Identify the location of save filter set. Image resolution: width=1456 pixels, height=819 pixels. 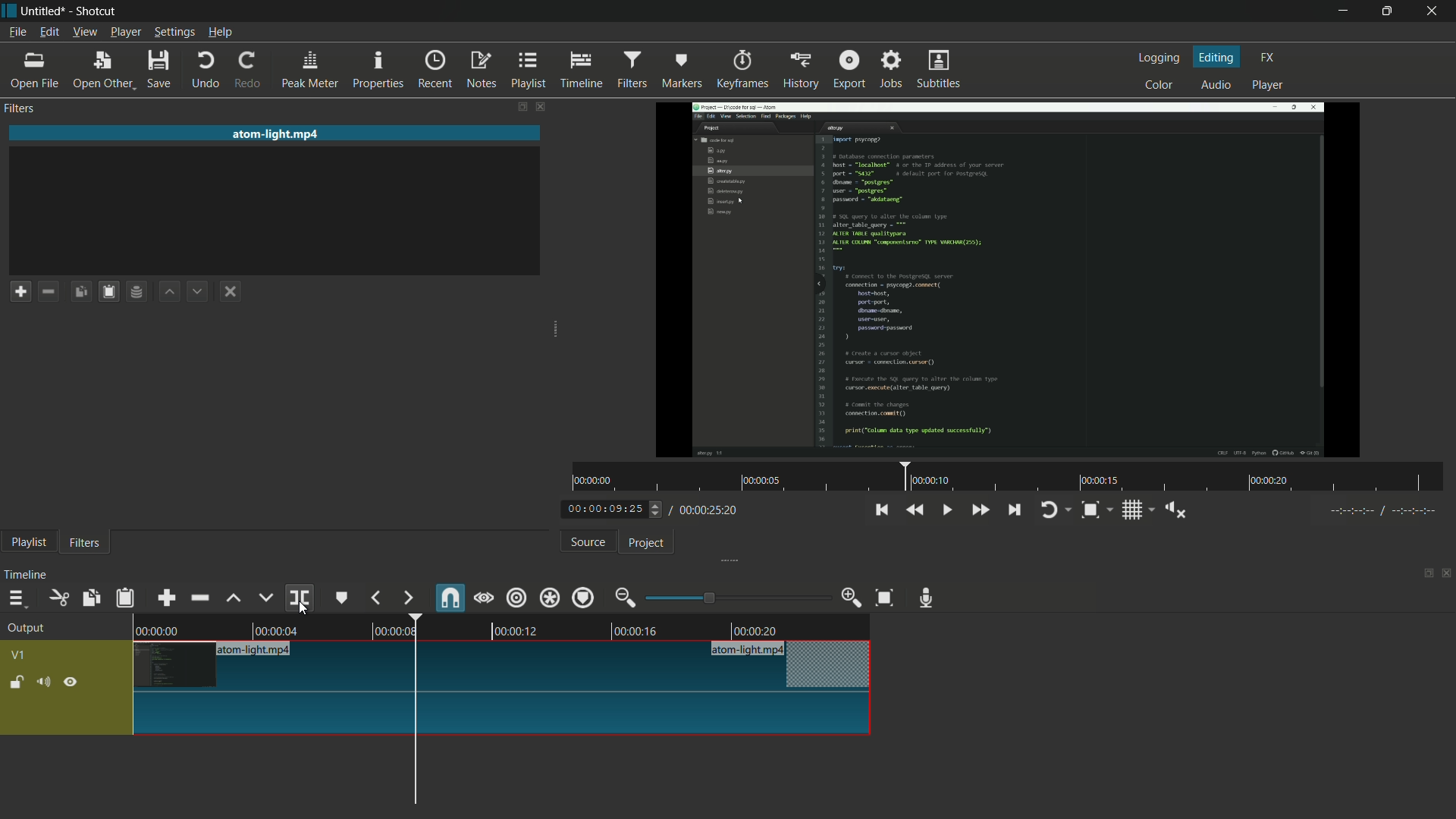
(140, 293).